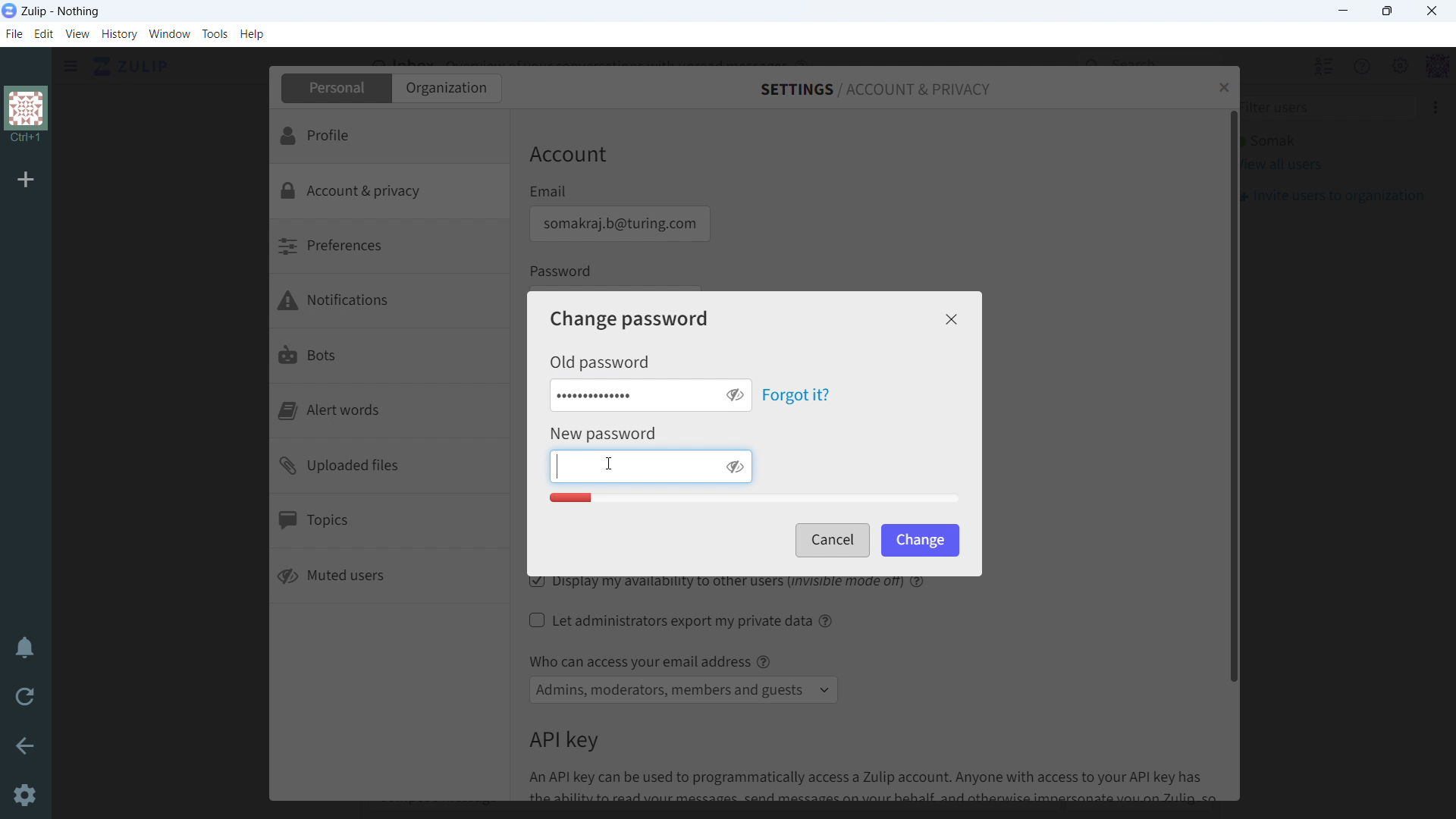  I want to click on muted users, so click(390, 577).